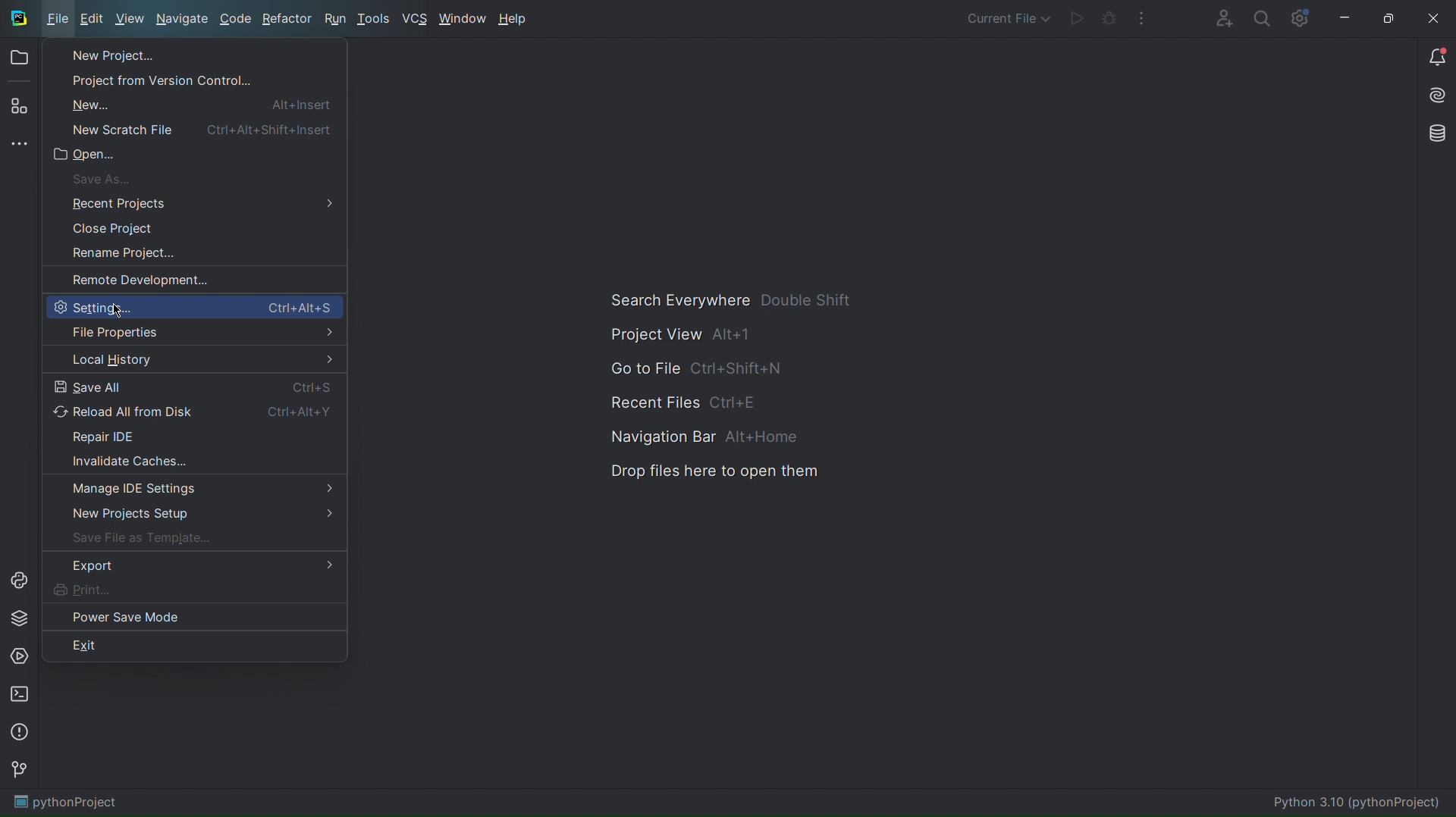 The width and height of the screenshot is (1456, 817). What do you see at coordinates (22, 695) in the screenshot?
I see `Terminal` at bounding box center [22, 695].